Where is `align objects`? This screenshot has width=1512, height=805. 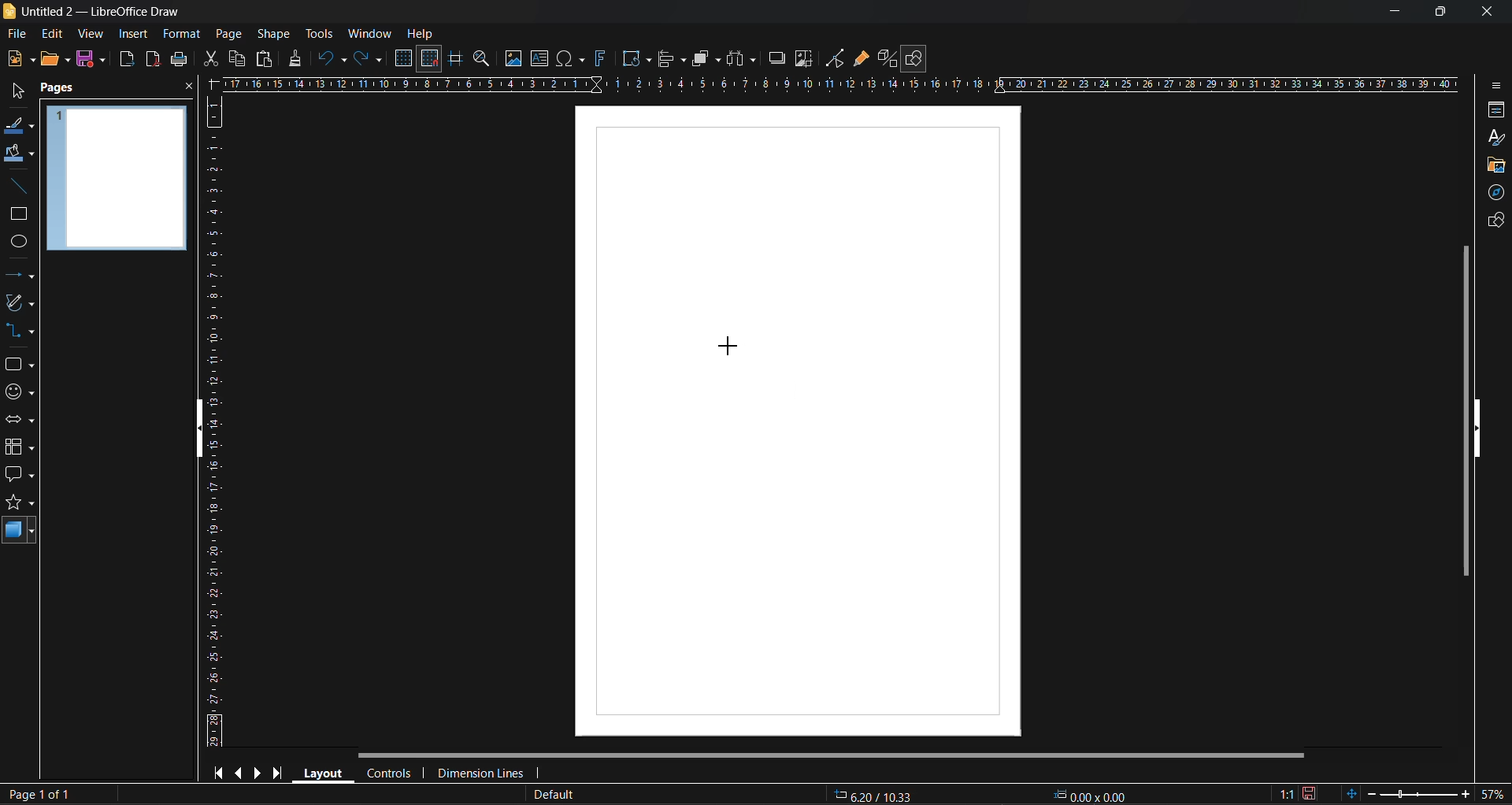
align objects is located at coordinates (670, 60).